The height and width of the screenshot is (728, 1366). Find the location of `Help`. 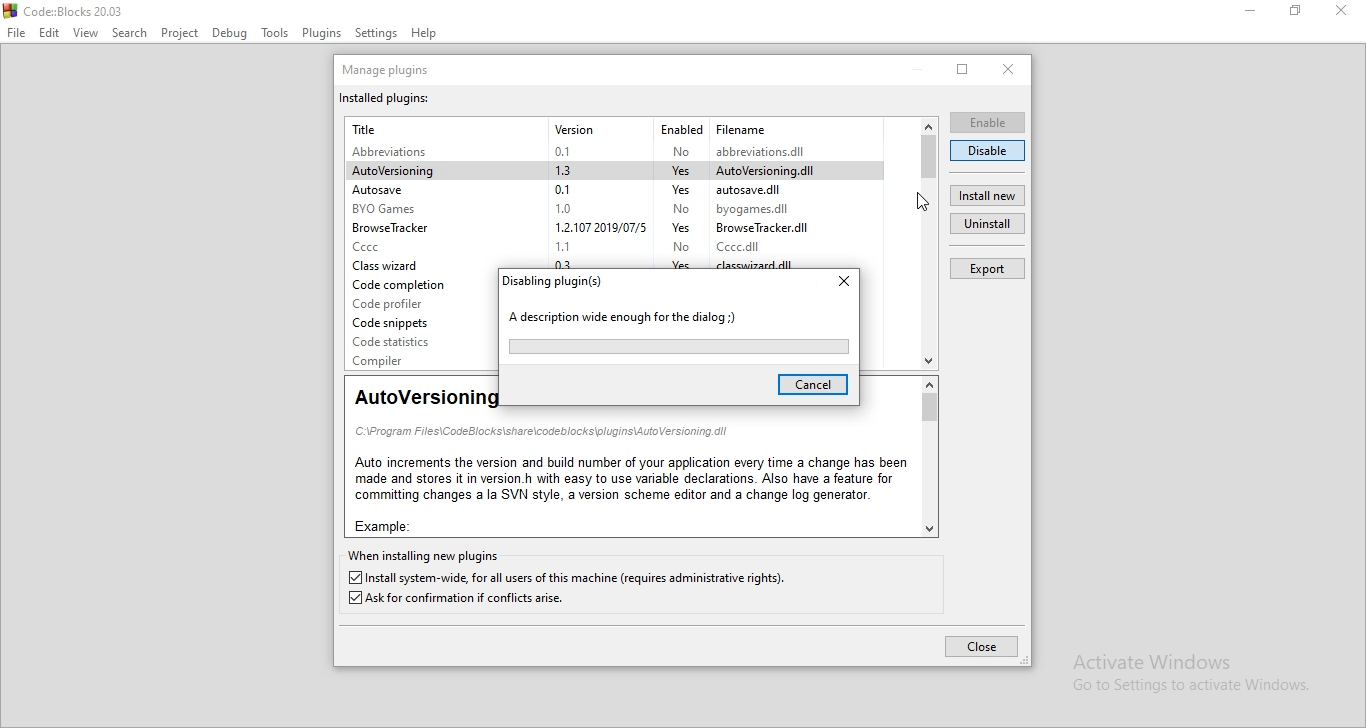

Help is located at coordinates (425, 34).